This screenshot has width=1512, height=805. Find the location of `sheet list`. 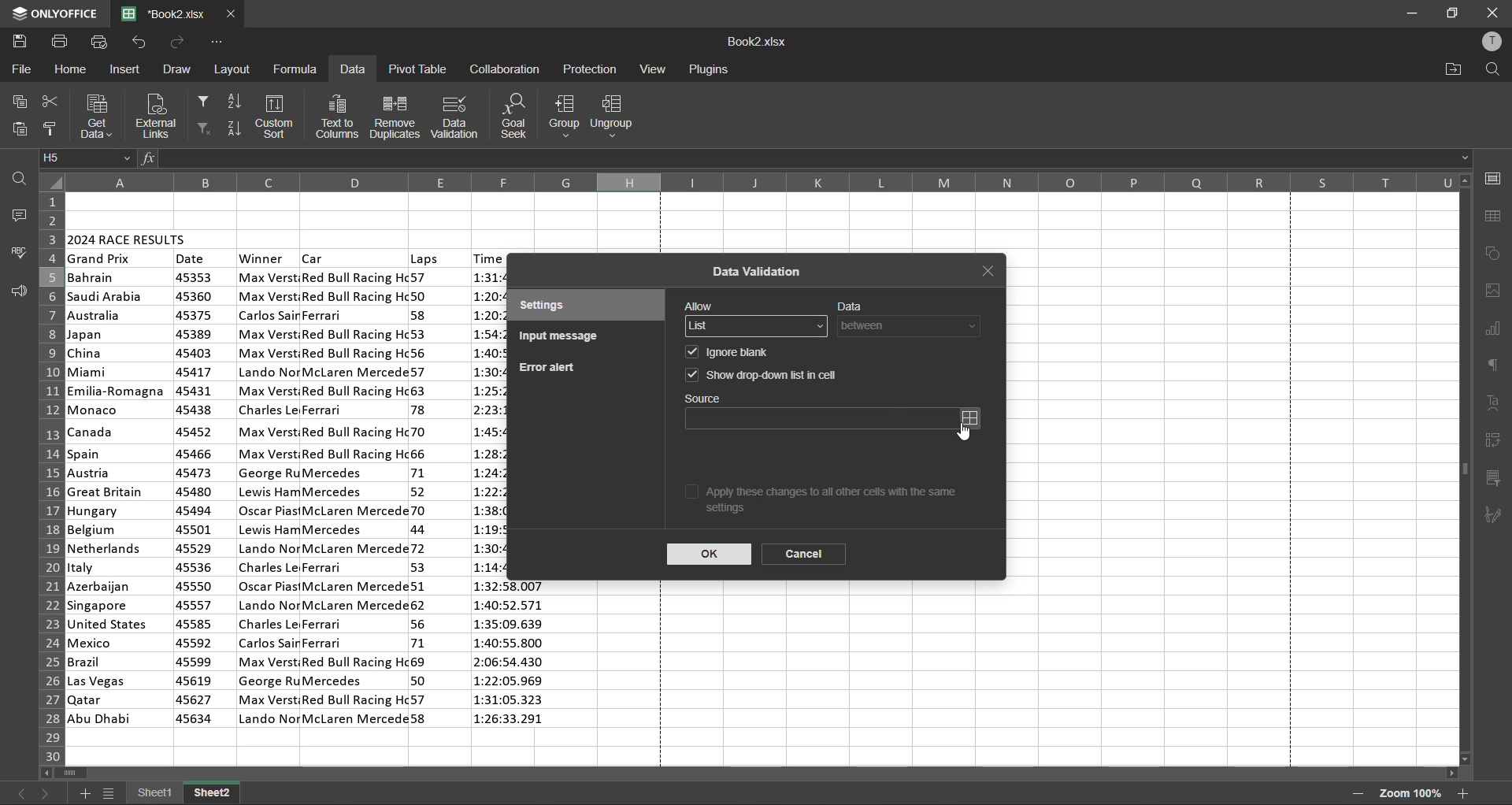

sheet list is located at coordinates (112, 796).